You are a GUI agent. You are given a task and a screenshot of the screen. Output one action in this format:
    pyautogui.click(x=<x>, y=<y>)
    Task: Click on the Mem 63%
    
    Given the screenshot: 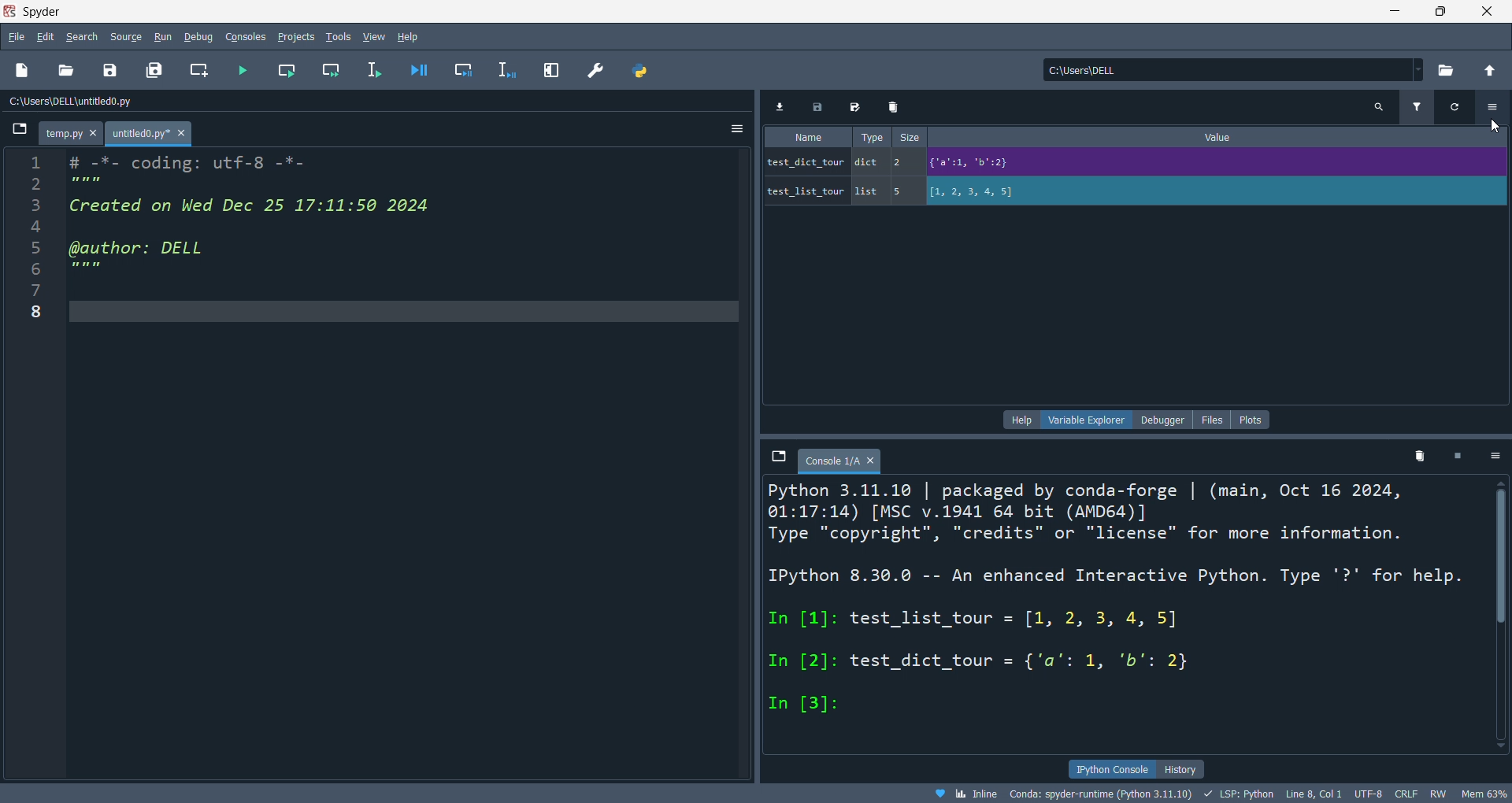 What is the action you would take?
    pyautogui.click(x=1485, y=793)
    